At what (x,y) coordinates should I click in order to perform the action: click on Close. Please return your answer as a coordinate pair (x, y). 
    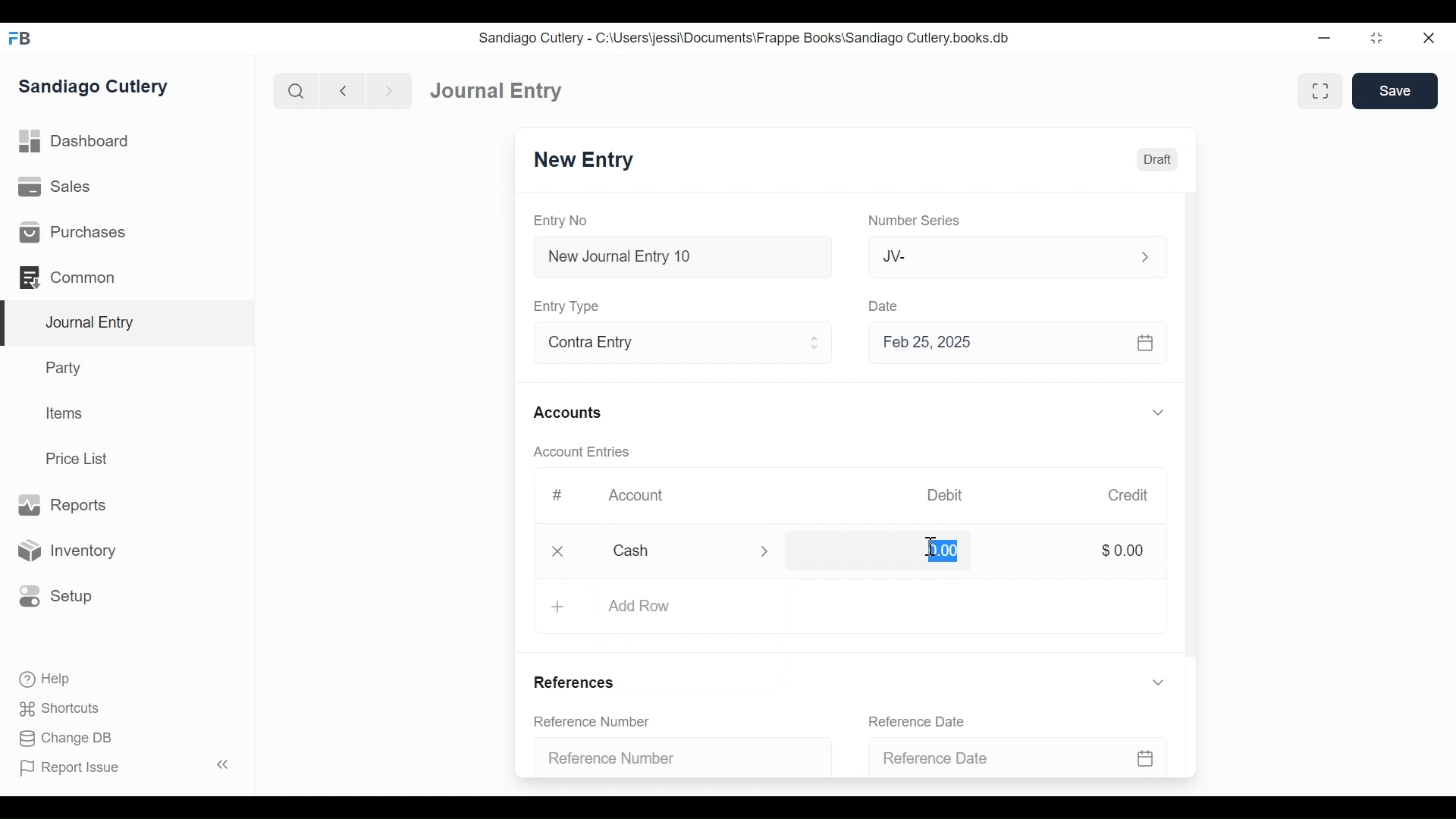
    Looking at the image, I should click on (558, 551).